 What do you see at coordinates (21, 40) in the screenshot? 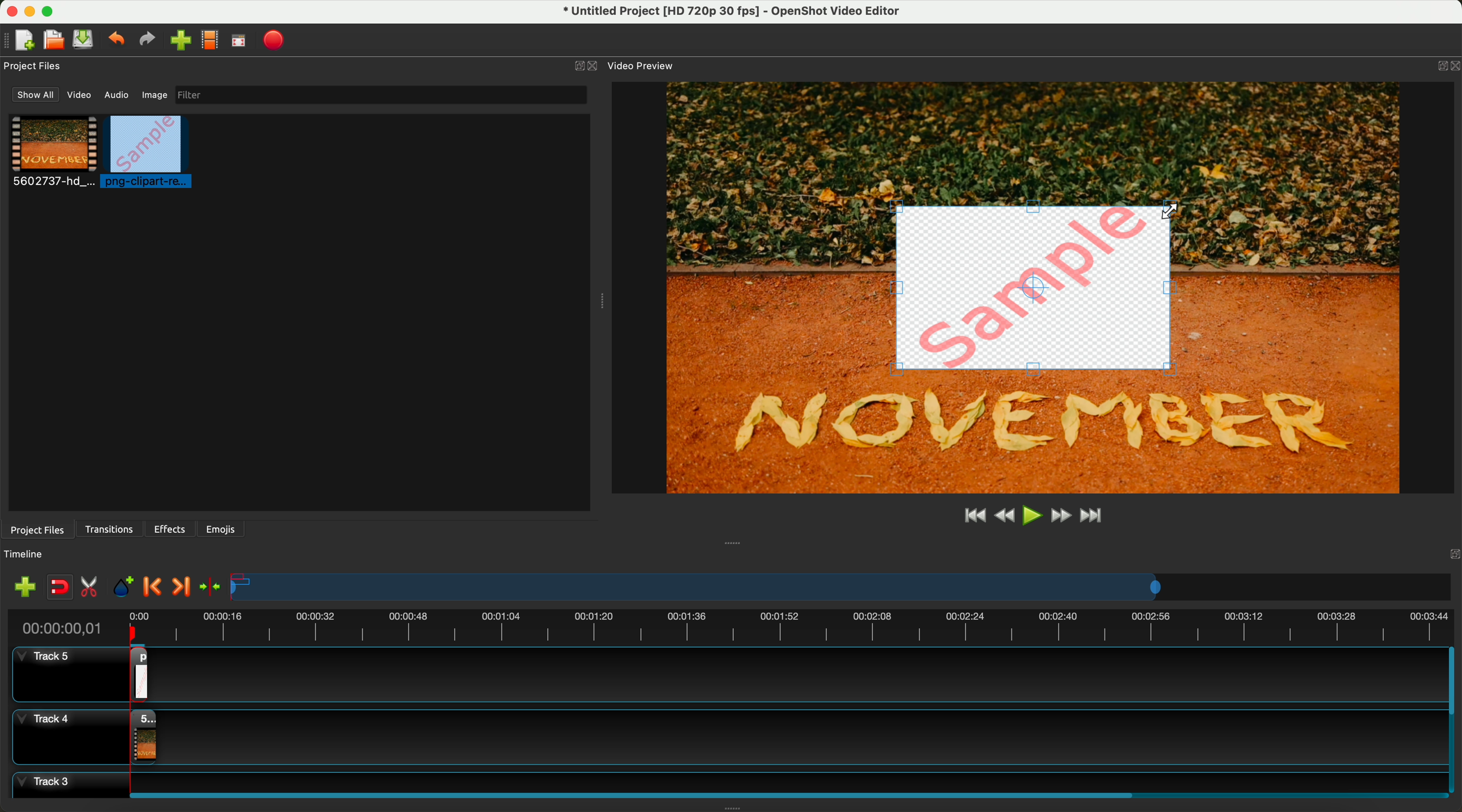
I see `new file` at bounding box center [21, 40].